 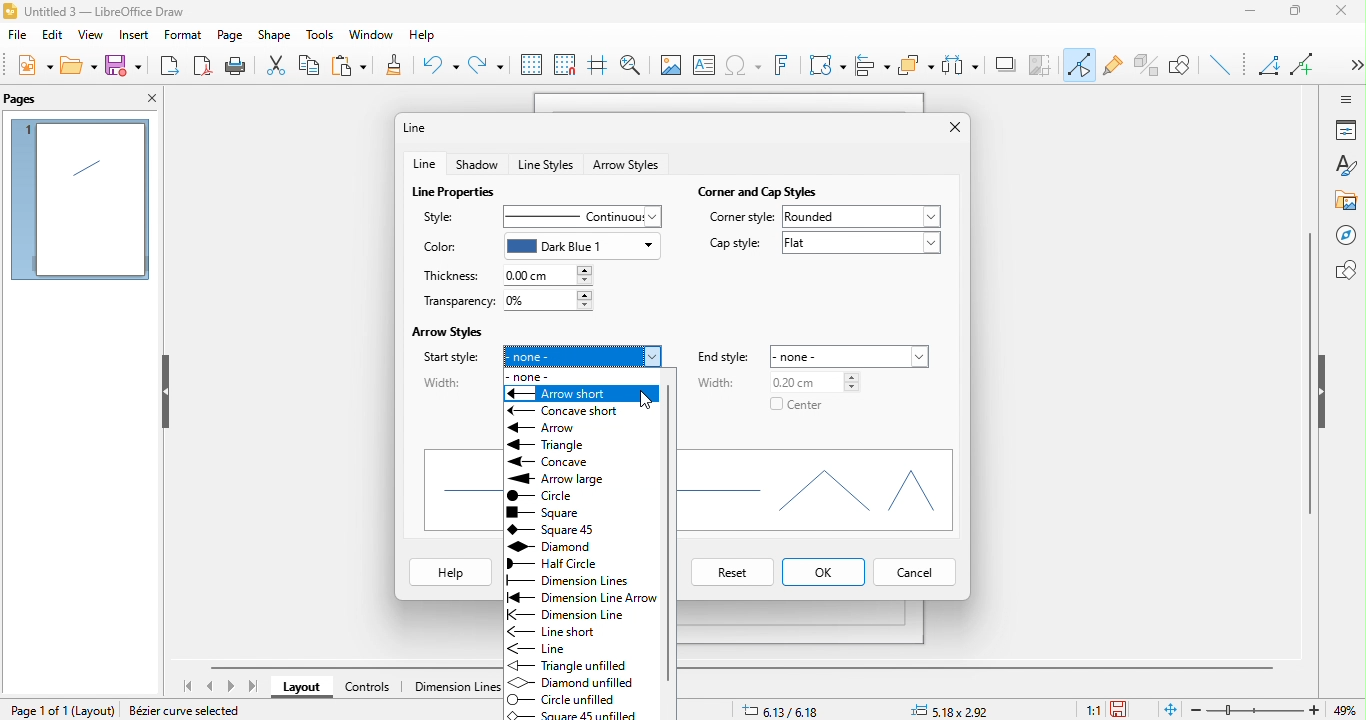 I want to click on dimension line arrow, so click(x=579, y=597).